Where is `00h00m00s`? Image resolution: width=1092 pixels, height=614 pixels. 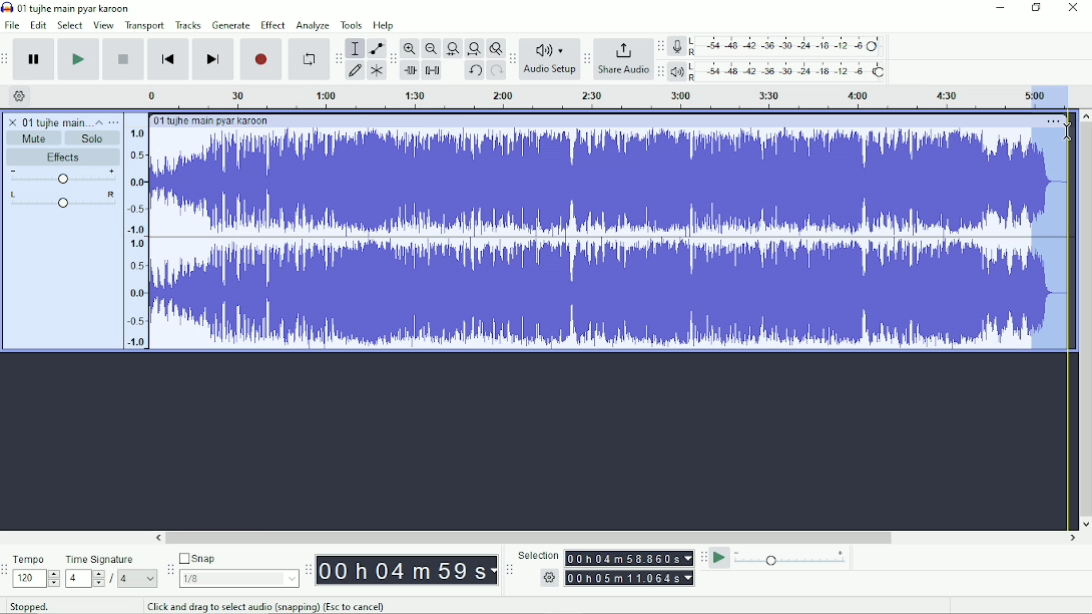 00h00m00s is located at coordinates (408, 571).